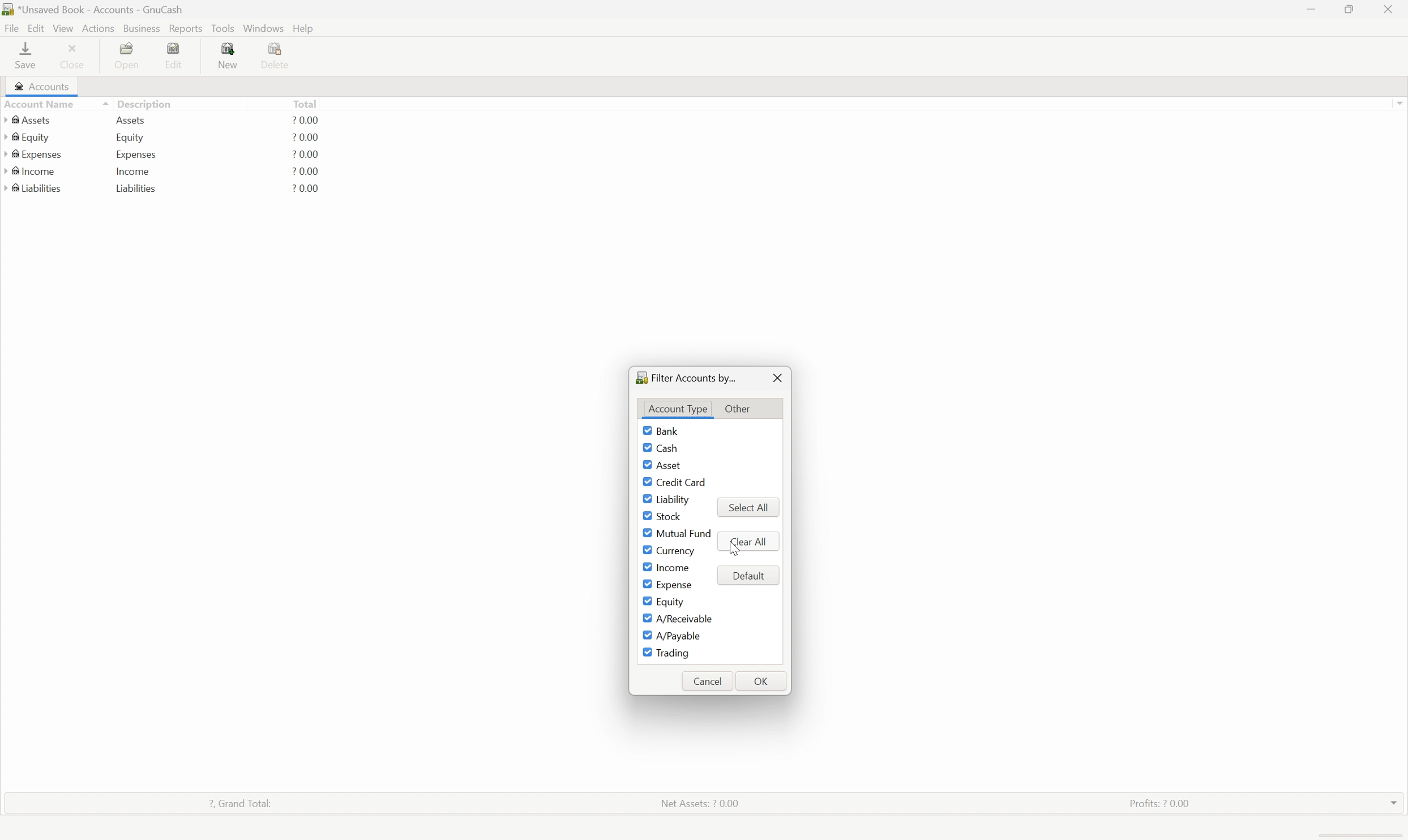  Describe the element at coordinates (306, 172) in the screenshot. I see `? 0.00` at that location.